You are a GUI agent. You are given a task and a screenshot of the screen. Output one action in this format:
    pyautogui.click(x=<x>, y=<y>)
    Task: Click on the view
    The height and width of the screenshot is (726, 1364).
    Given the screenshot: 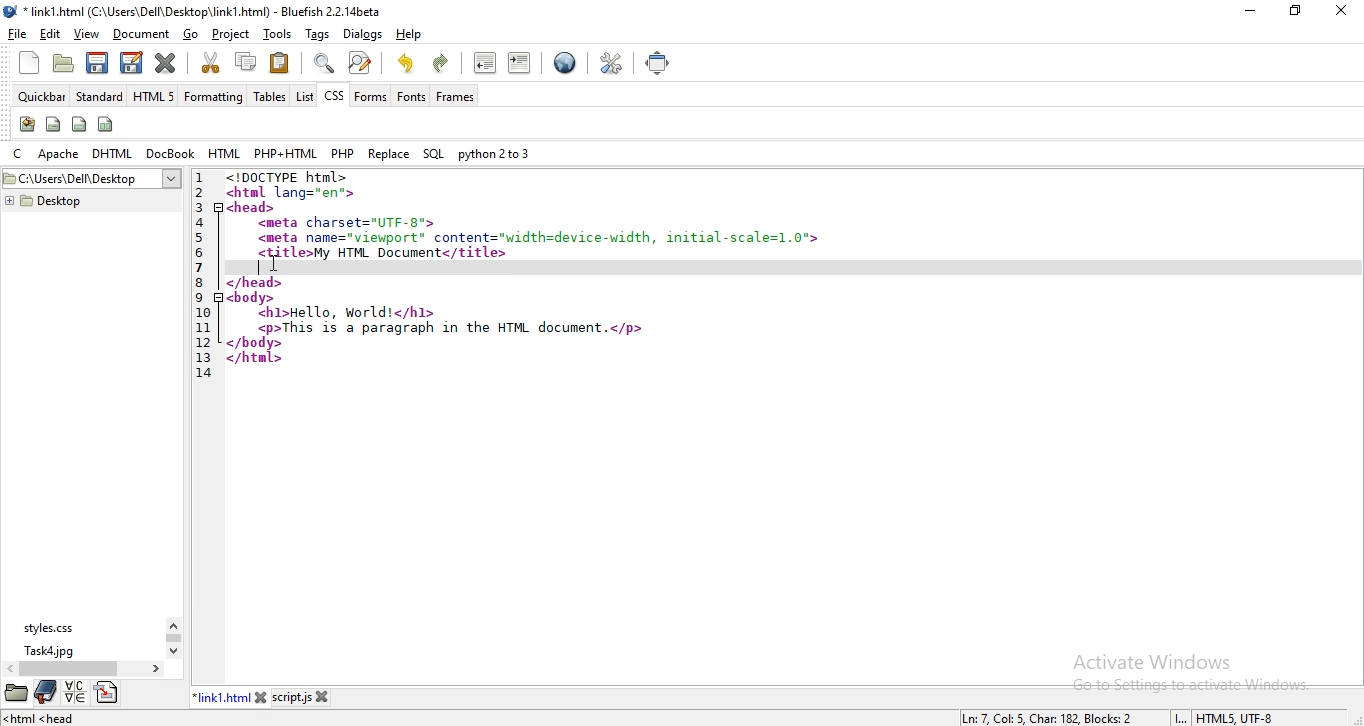 What is the action you would take?
    pyautogui.click(x=85, y=34)
    